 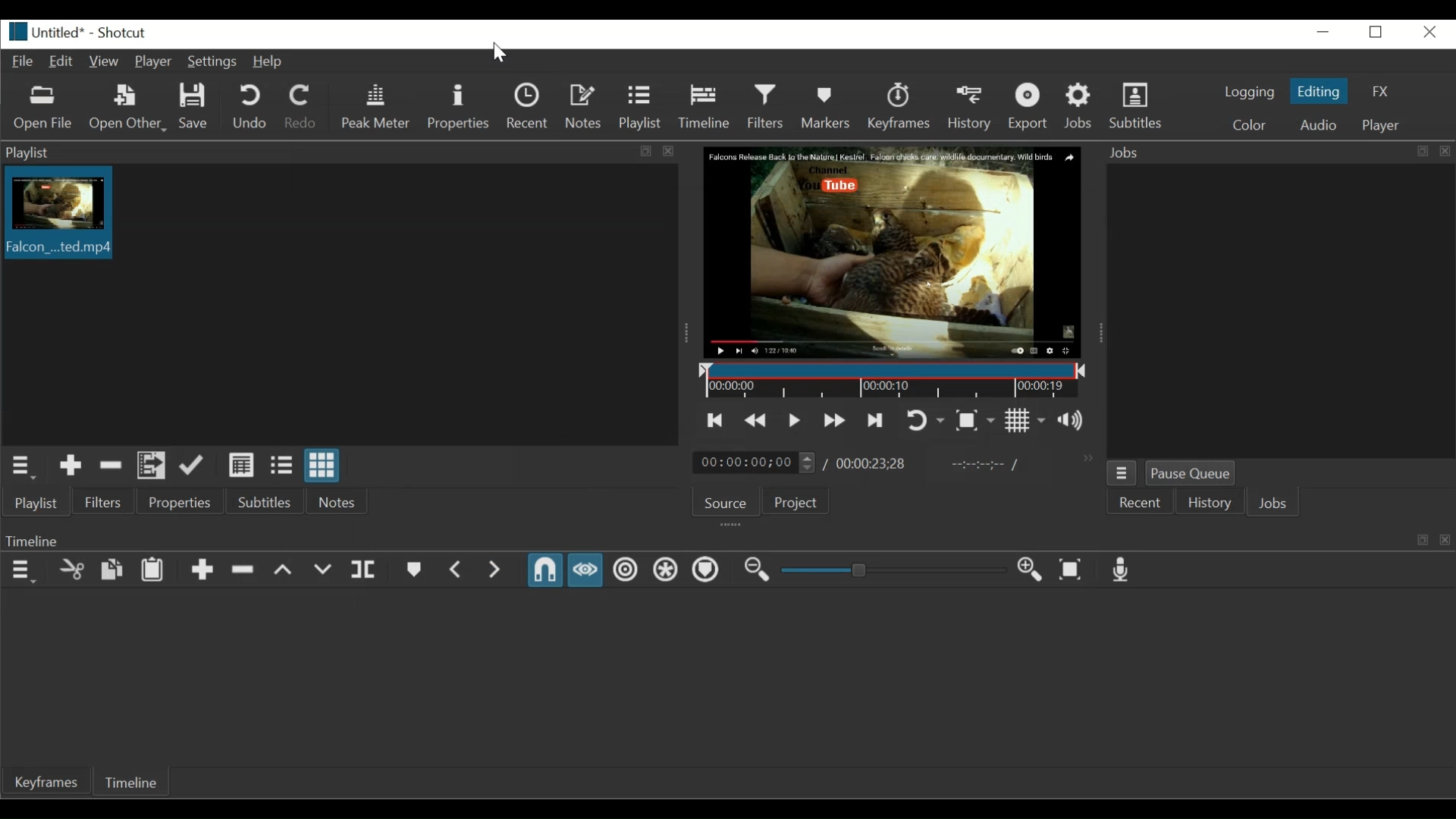 I want to click on Snap (Enabled), so click(x=544, y=570).